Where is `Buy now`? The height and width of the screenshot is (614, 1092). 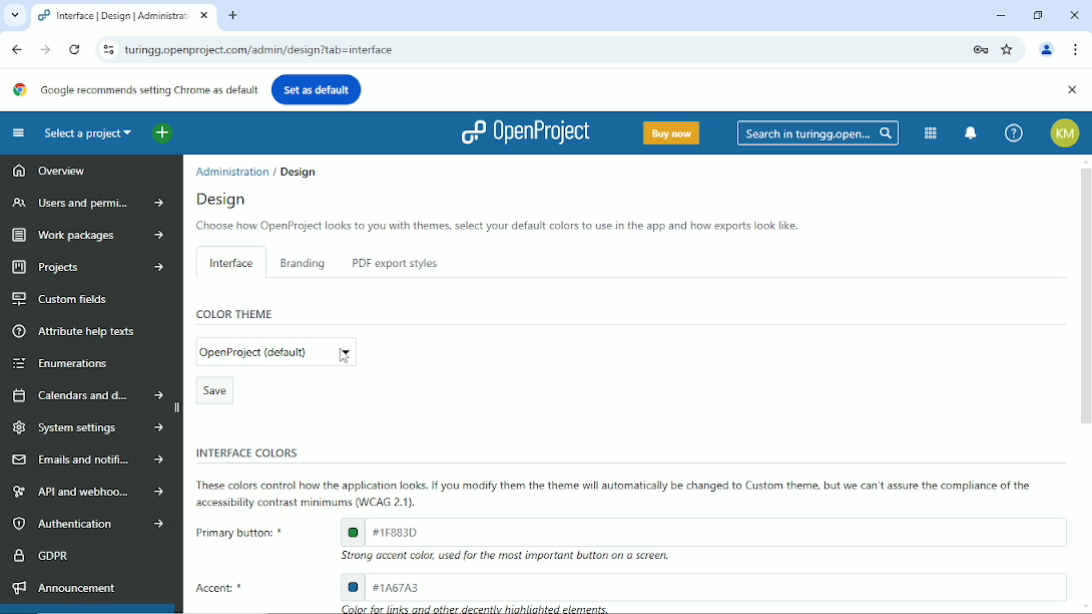 Buy now is located at coordinates (670, 132).